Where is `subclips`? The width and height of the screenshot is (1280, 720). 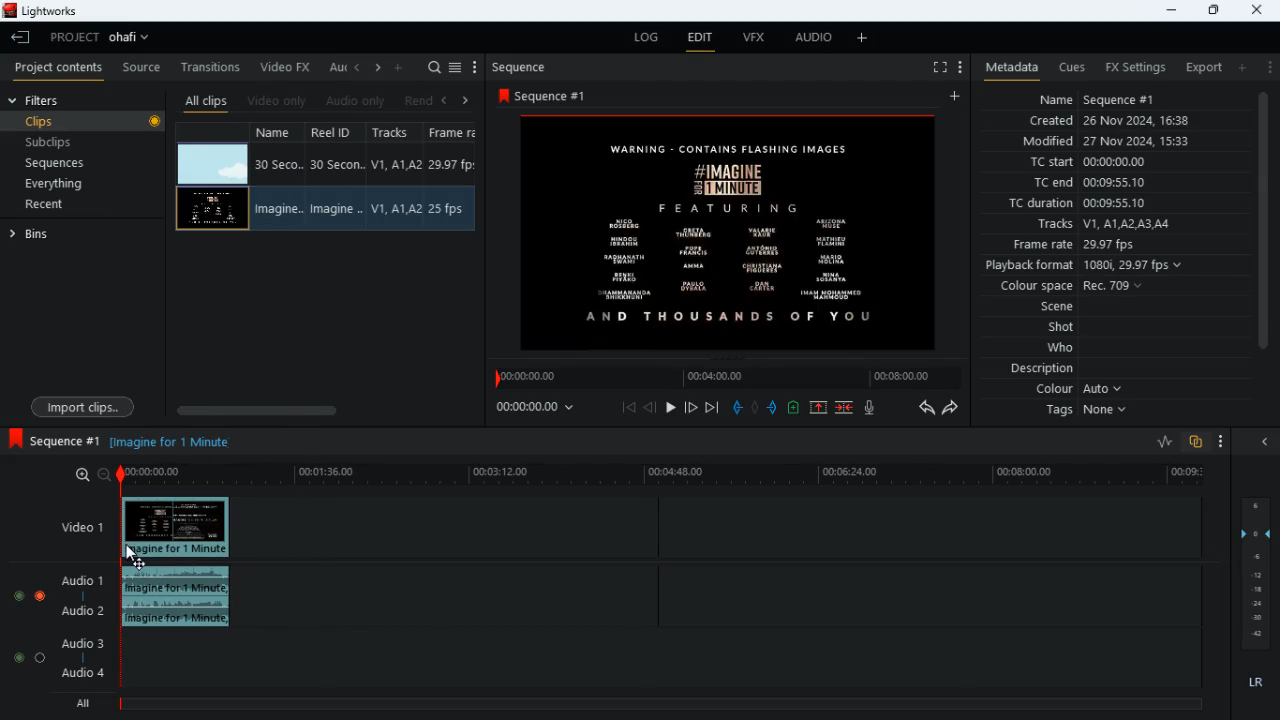 subclips is located at coordinates (76, 142).